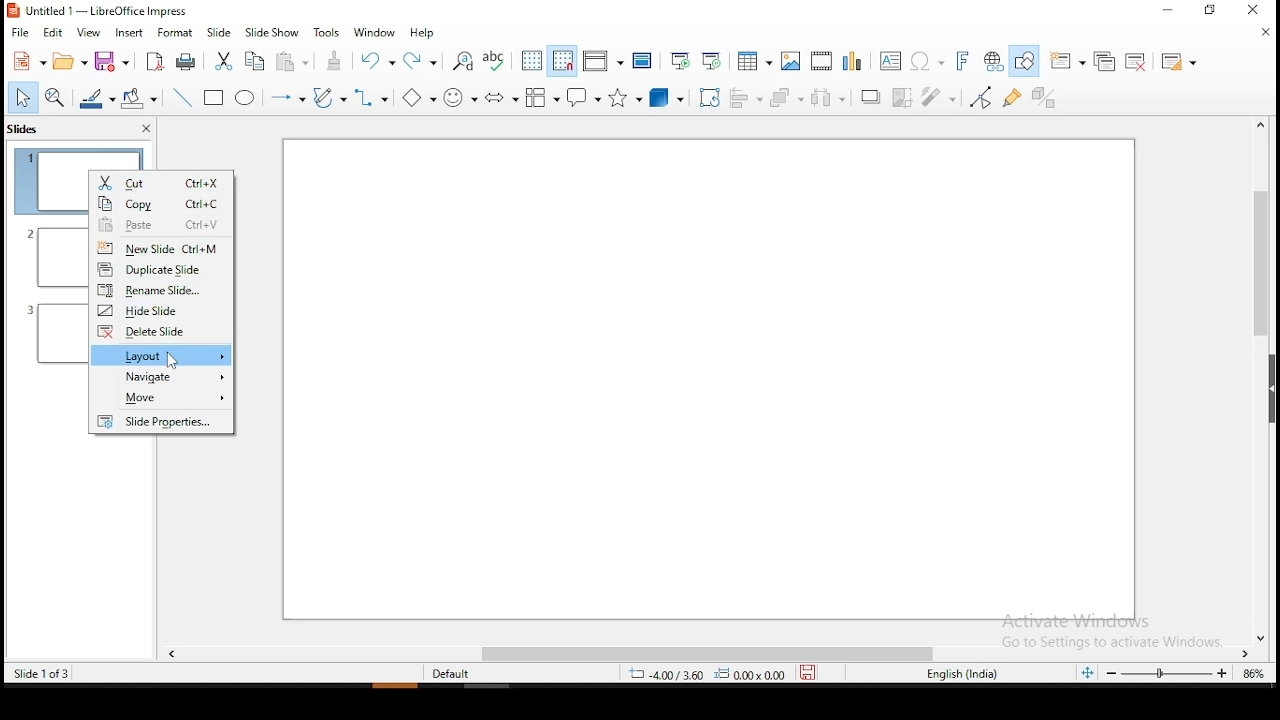 Image resolution: width=1280 pixels, height=720 pixels. I want to click on distribute, so click(828, 96).